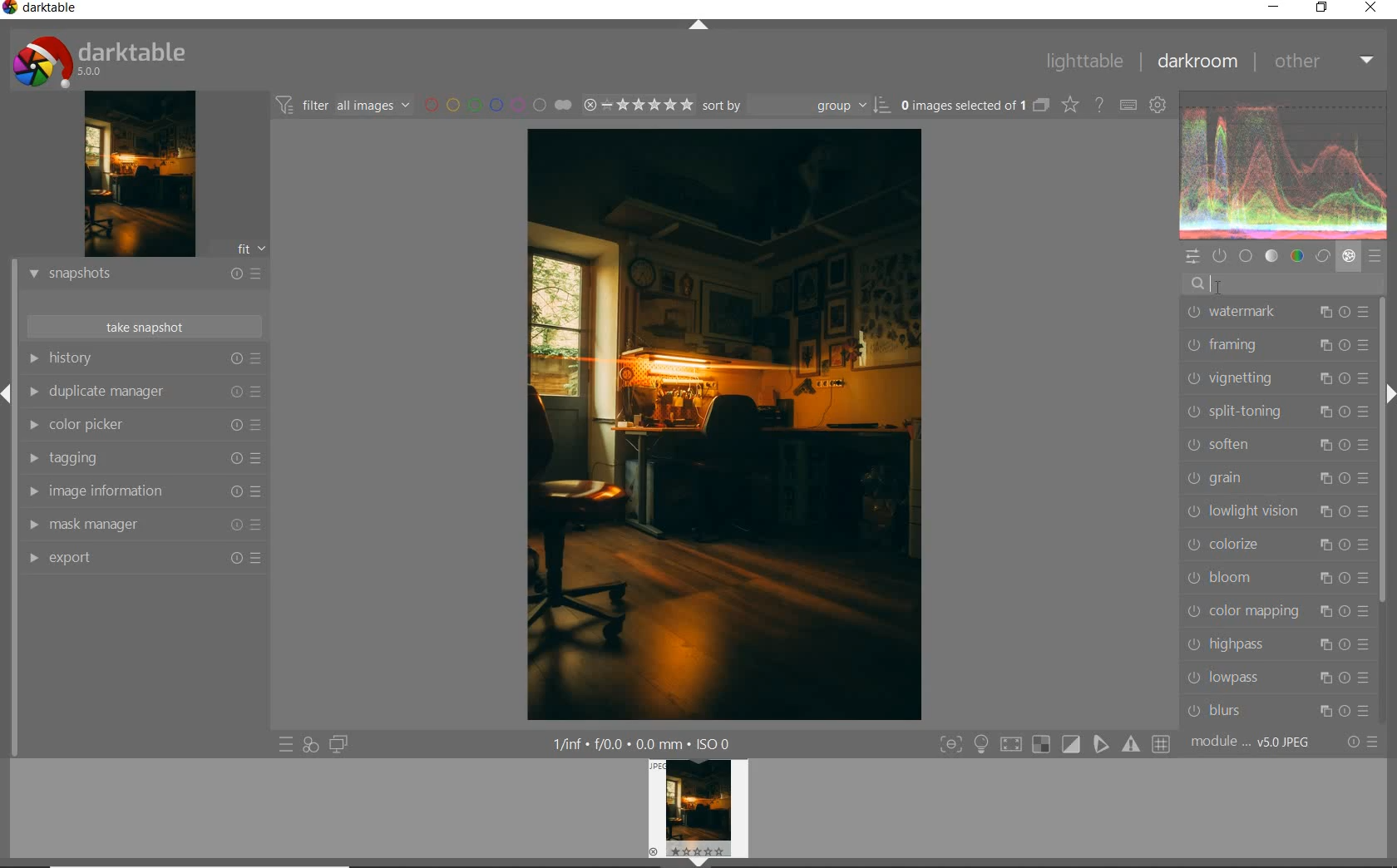 Image resolution: width=1397 pixels, height=868 pixels. Describe the element at coordinates (797, 106) in the screenshot. I see `sort` at that location.